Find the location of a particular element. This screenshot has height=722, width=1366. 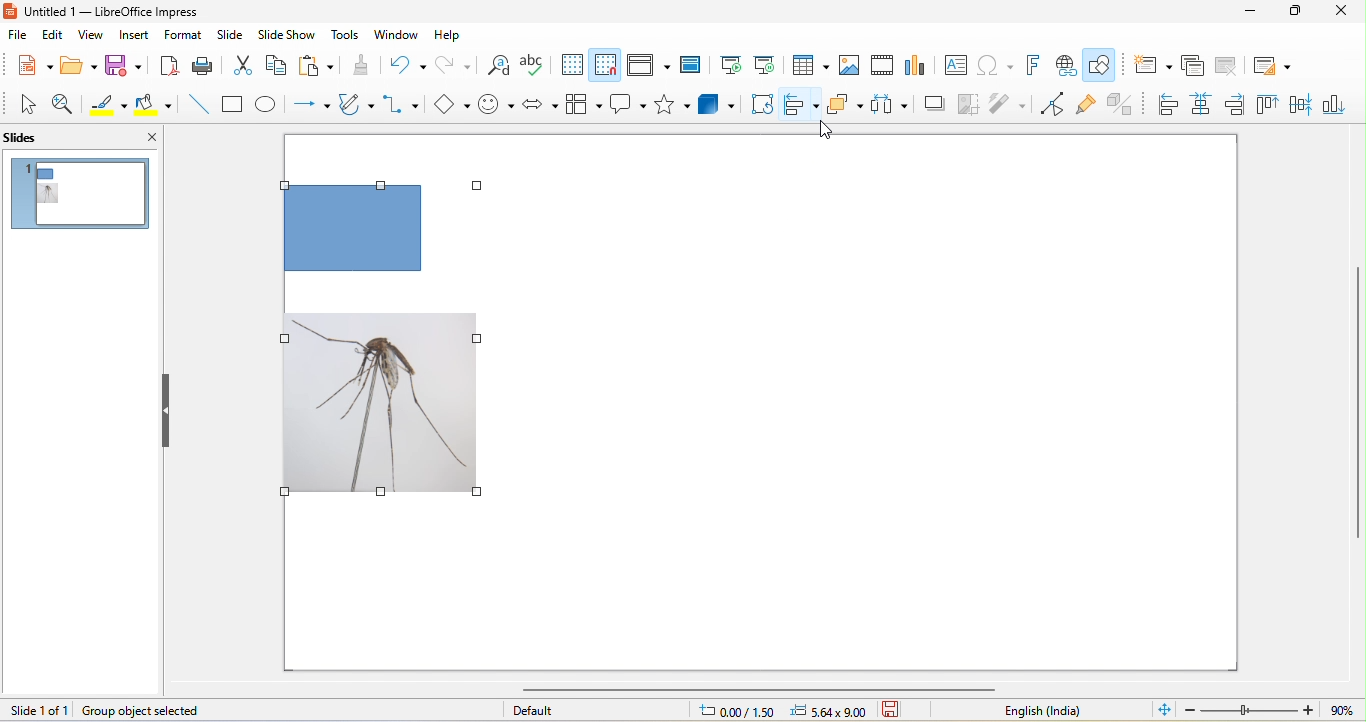

rotate is located at coordinates (764, 106).